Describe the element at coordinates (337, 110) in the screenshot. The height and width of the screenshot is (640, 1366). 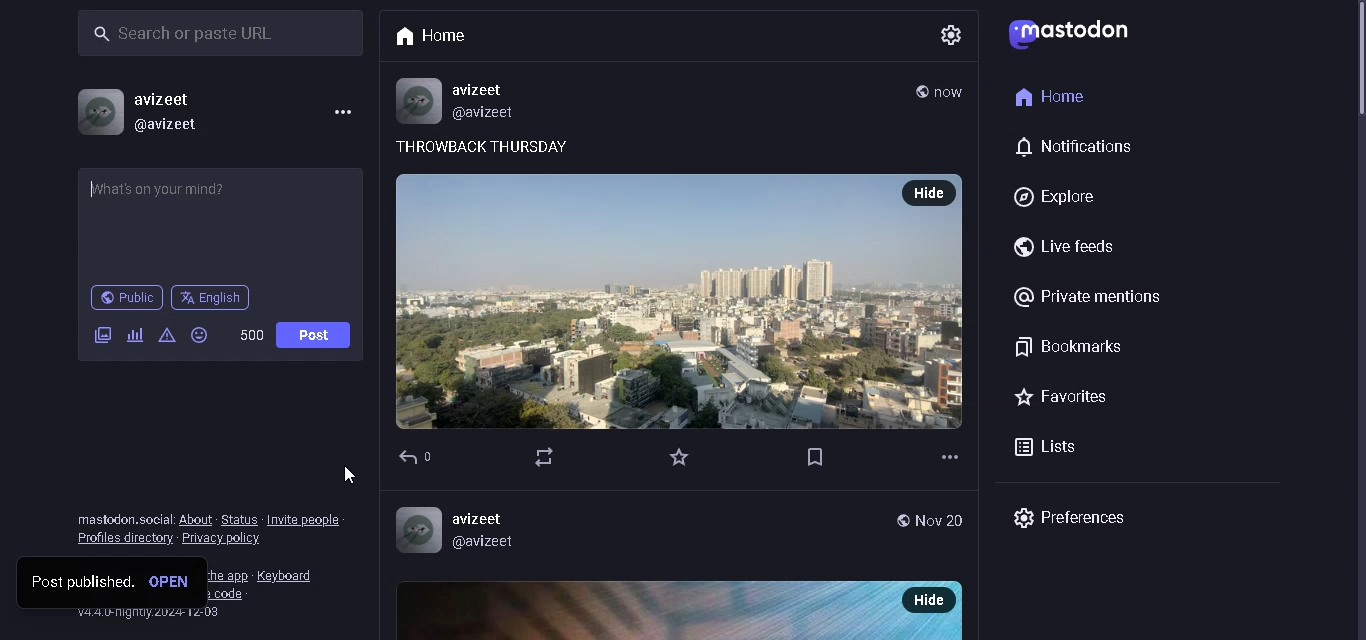
I see `menu` at that location.